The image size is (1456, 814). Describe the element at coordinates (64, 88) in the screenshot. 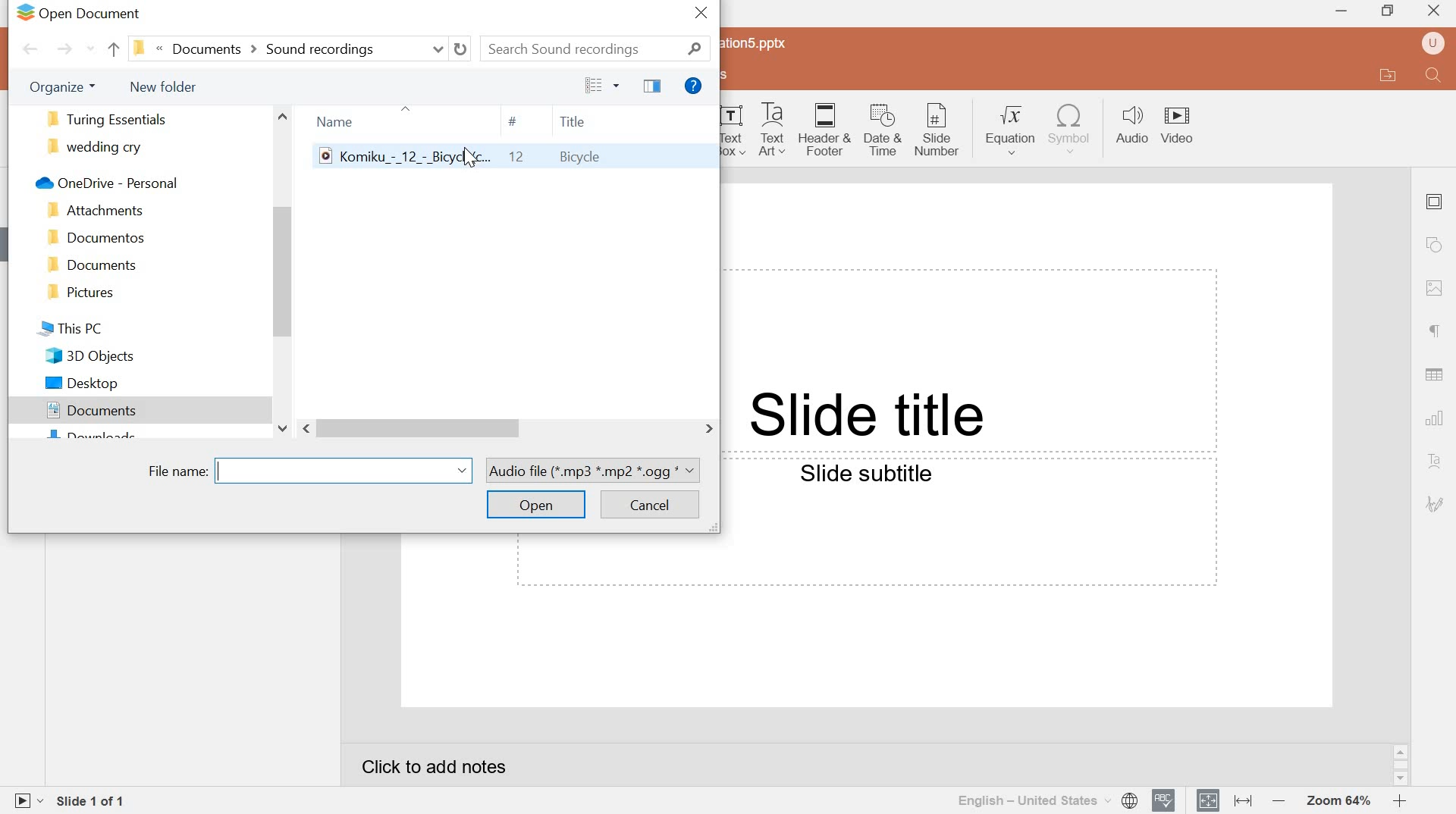

I see `organize` at that location.